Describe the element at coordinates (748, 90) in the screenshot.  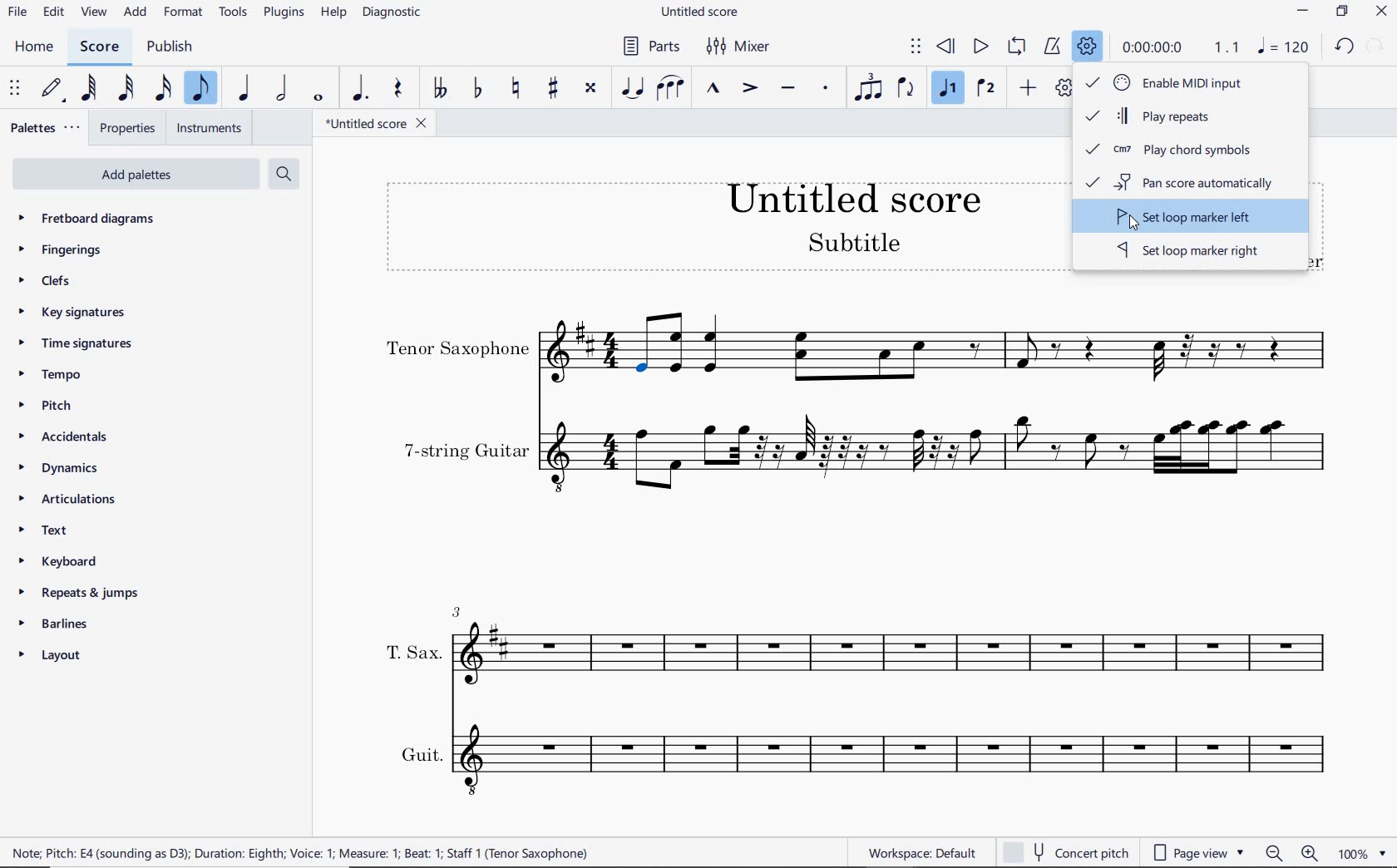
I see `ACCENT` at that location.